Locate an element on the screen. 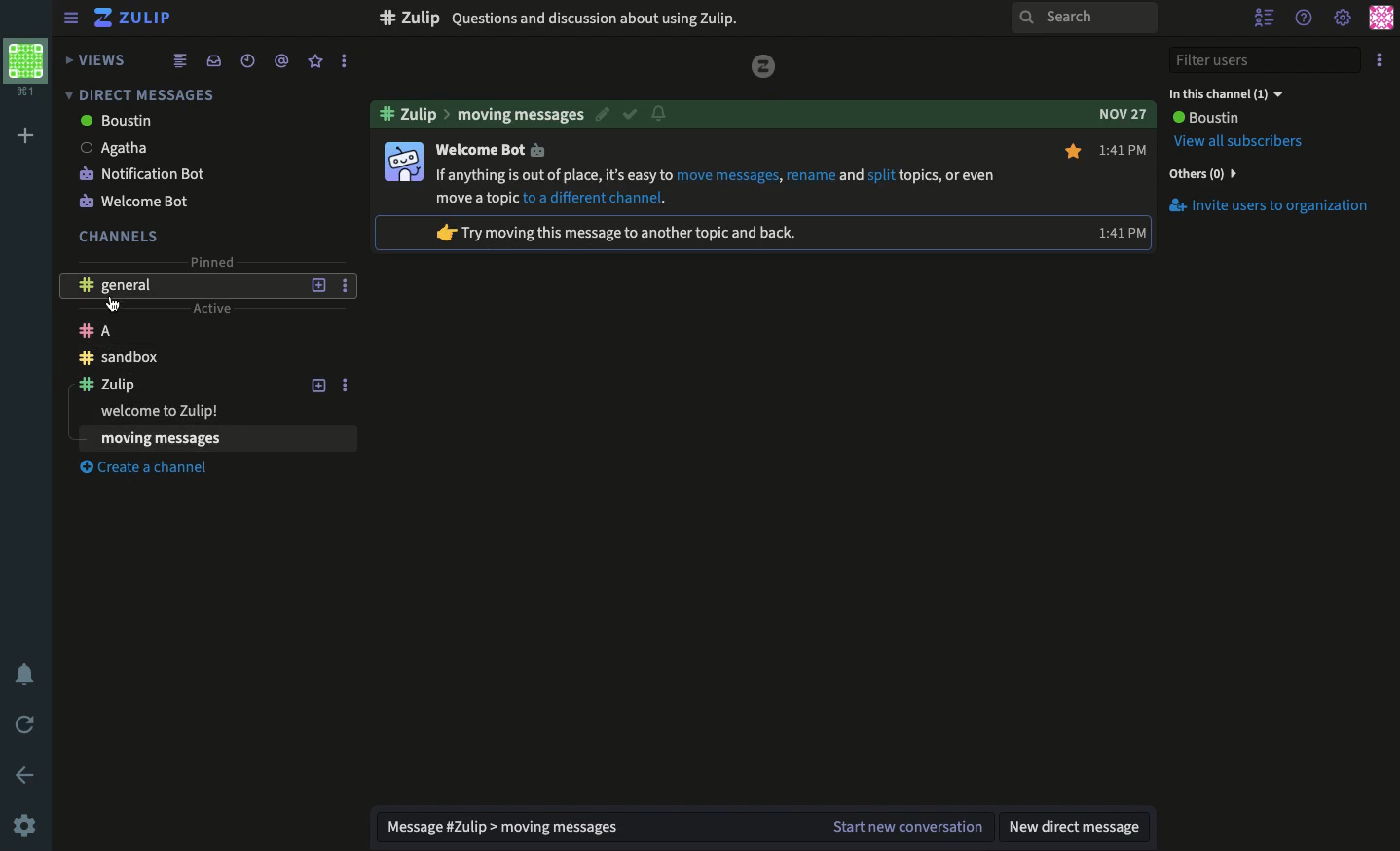  Hide users list is located at coordinates (1267, 19).